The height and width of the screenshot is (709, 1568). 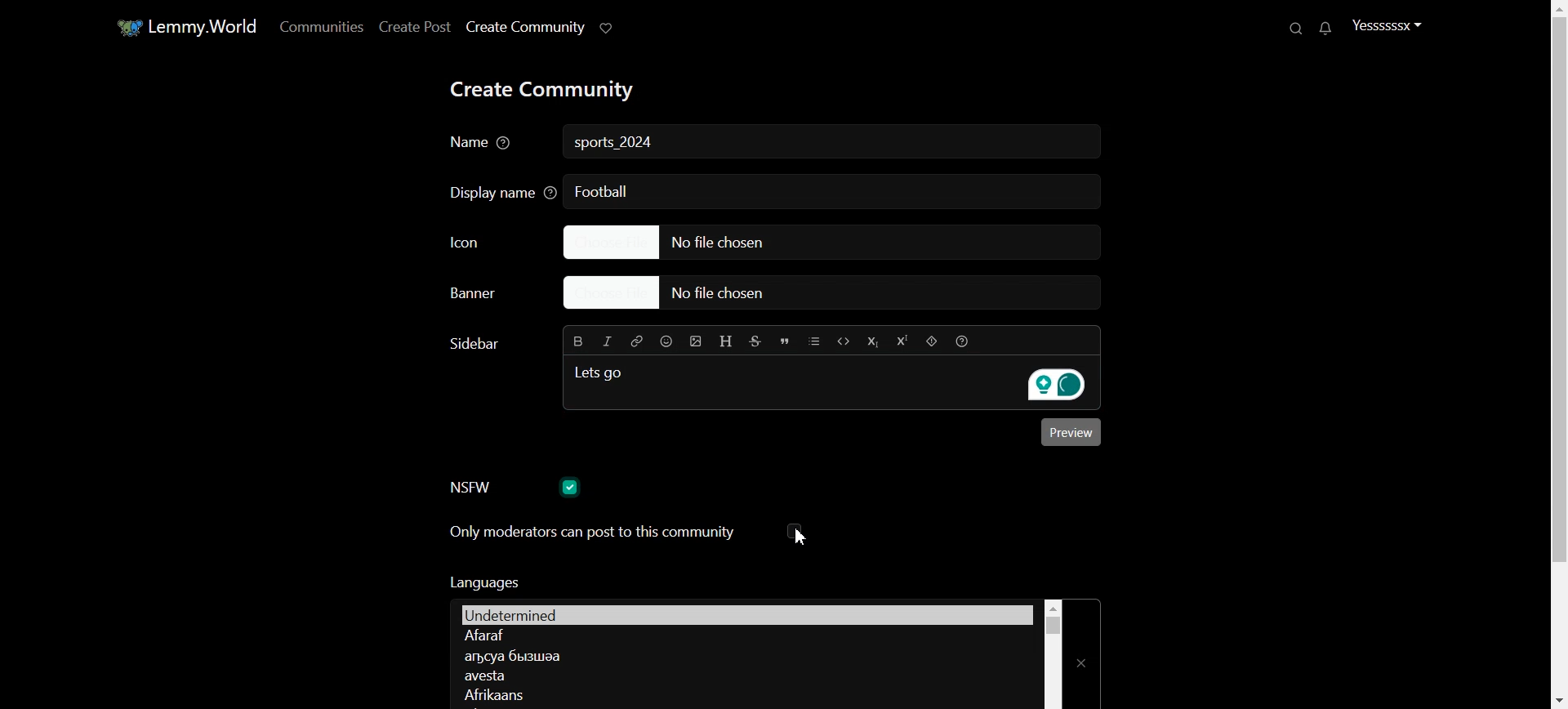 What do you see at coordinates (785, 341) in the screenshot?
I see `Quote` at bounding box center [785, 341].